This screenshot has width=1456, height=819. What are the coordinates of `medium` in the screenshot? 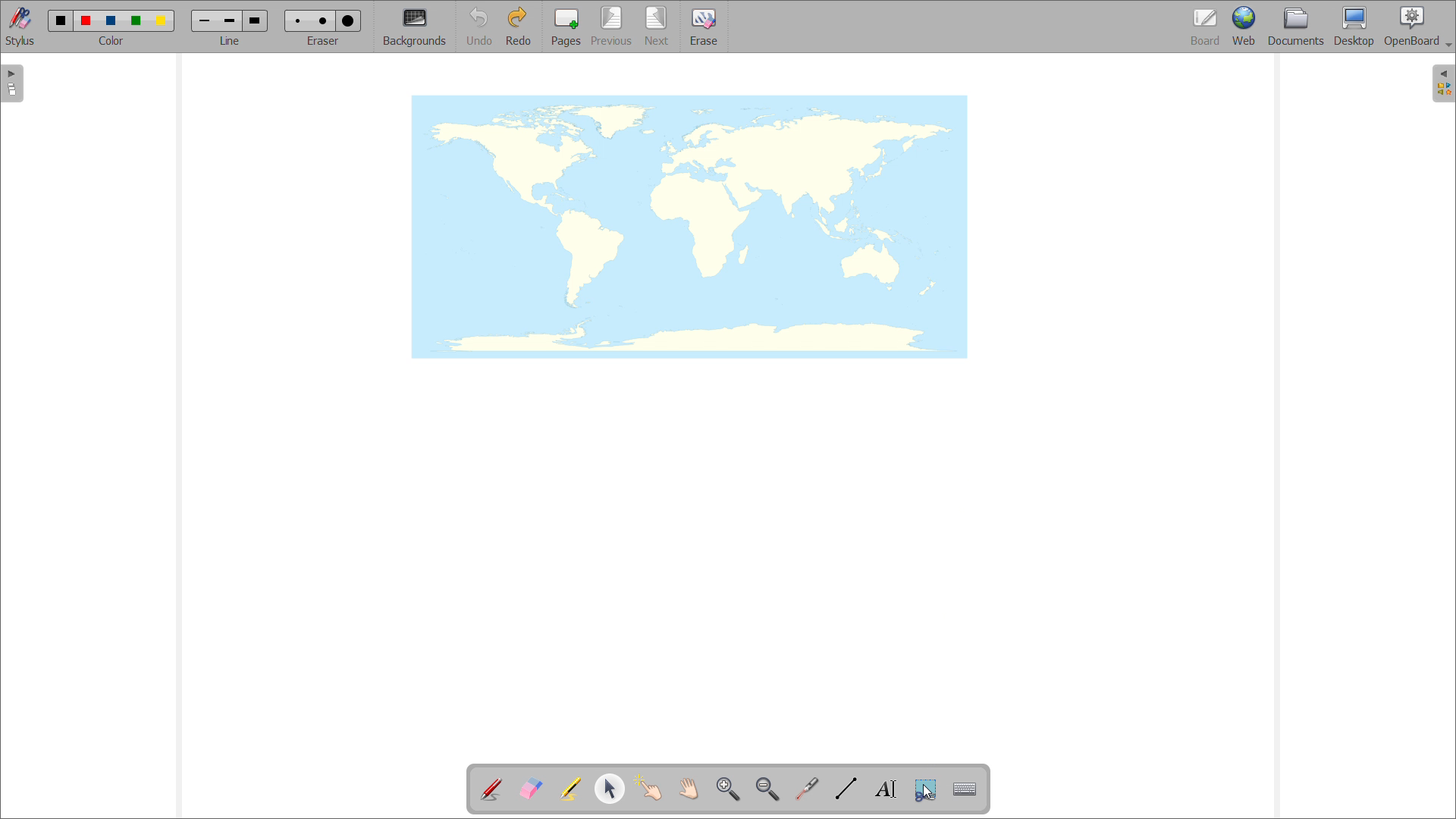 It's located at (229, 21).